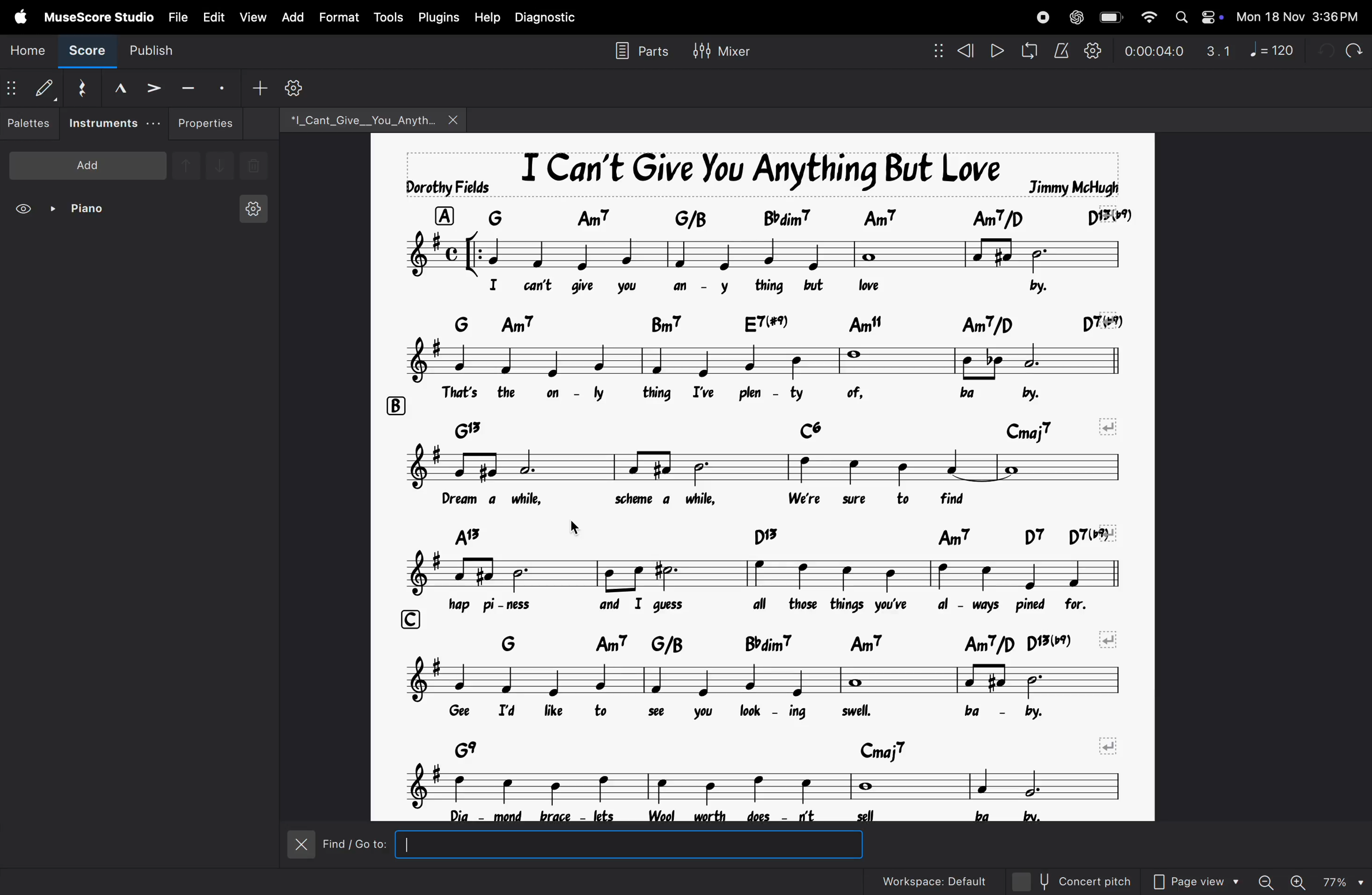 The height and width of the screenshot is (895, 1372). Describe the element at coordinates (1062, 51) in the screenshot. I see `metronome` at that location.